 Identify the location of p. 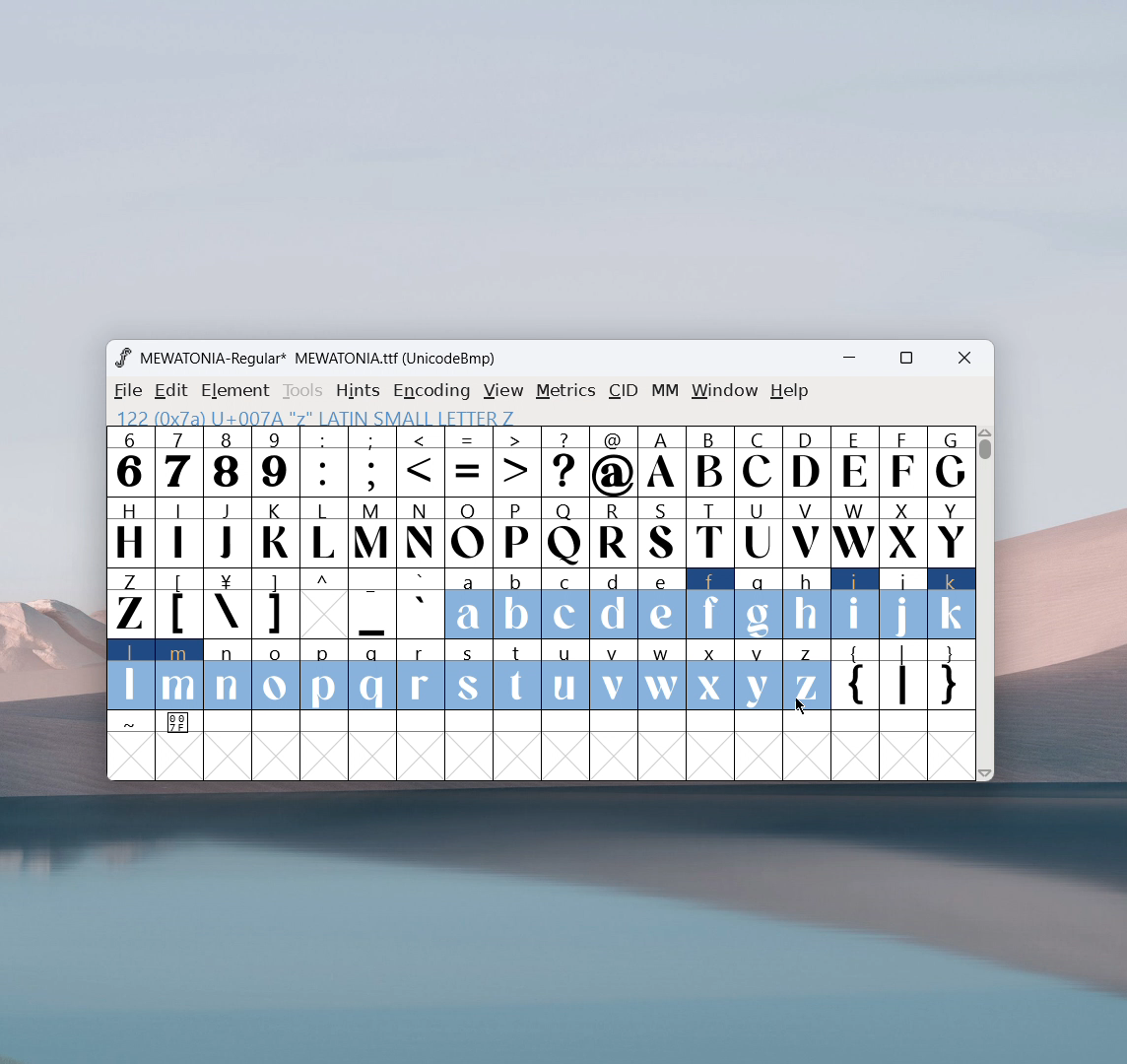
(326, 676).